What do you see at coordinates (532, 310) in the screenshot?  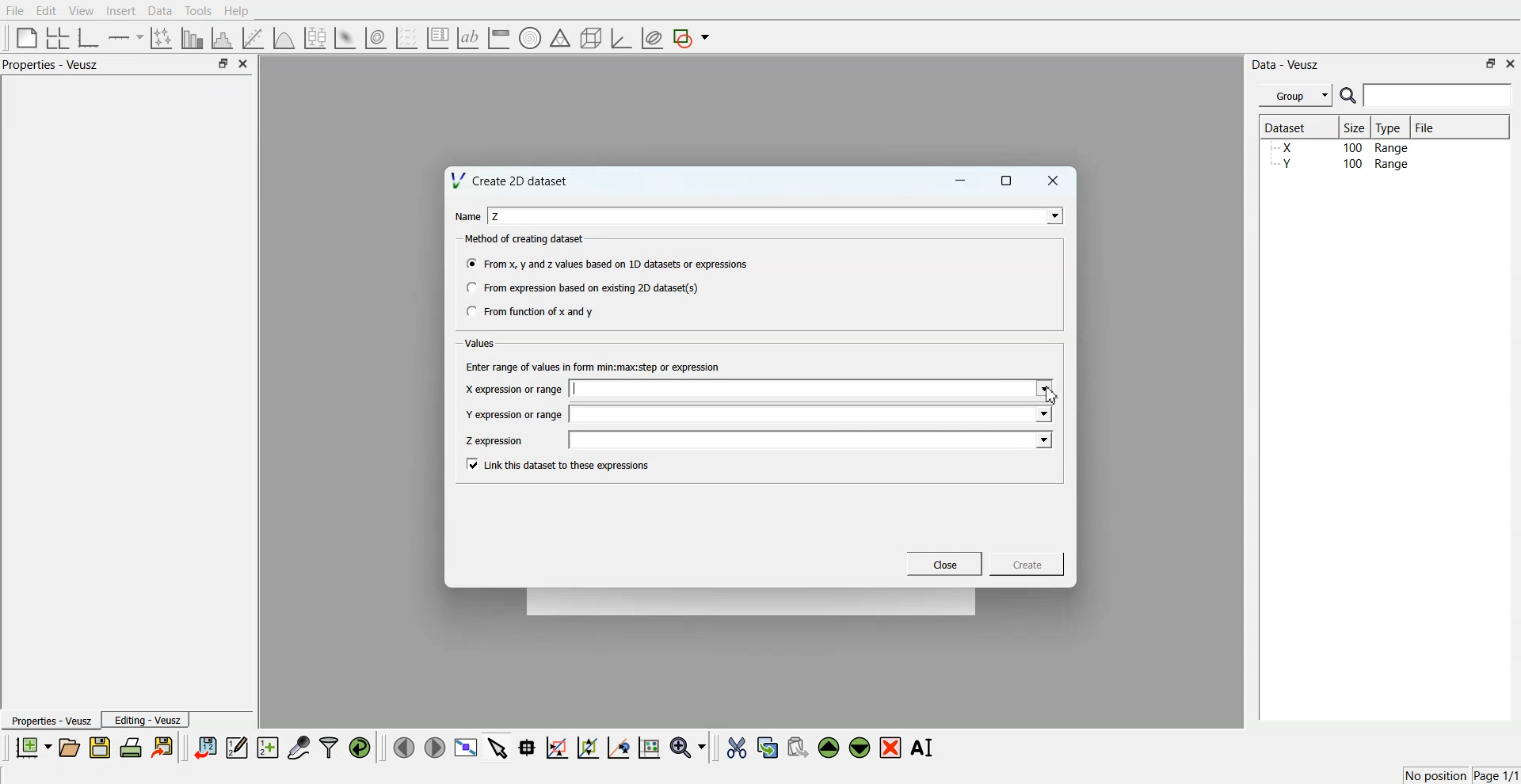 I see `From function of x and y` at bounding box center [532, 310].